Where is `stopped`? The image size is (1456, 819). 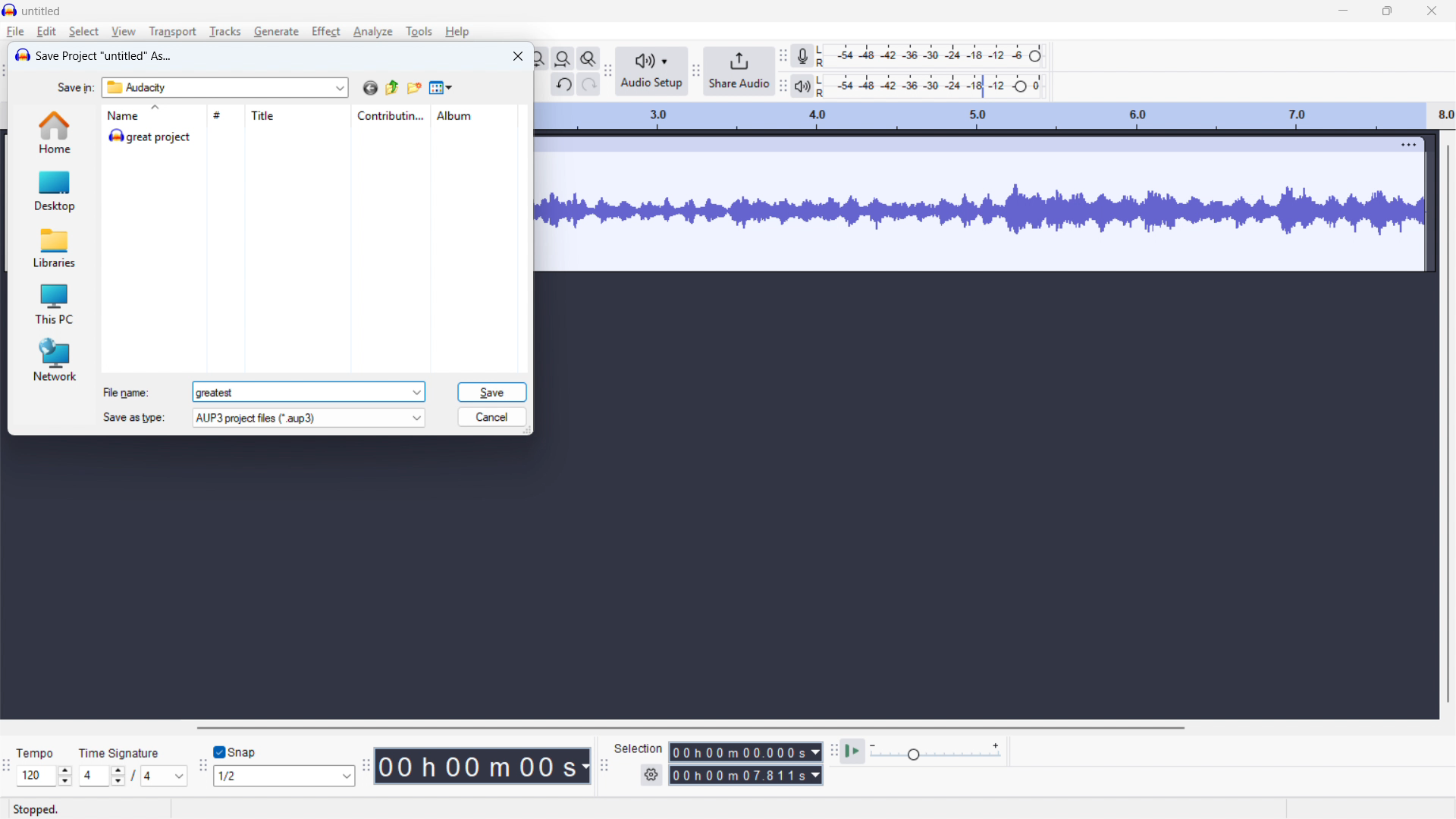
stopped is located at coordinates (38, 810).